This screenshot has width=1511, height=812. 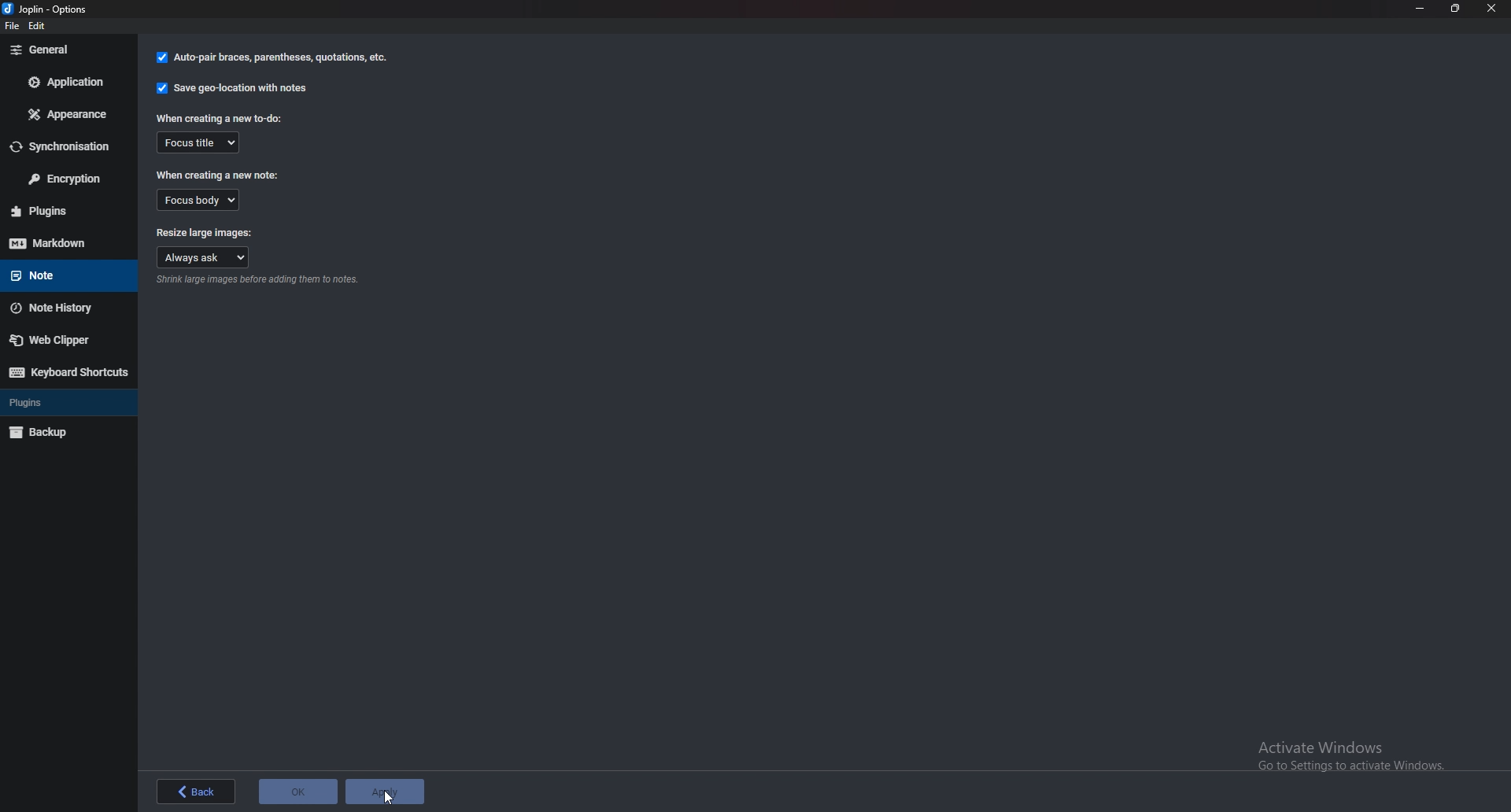 I want to click on apply, so click(x=384, y=790).